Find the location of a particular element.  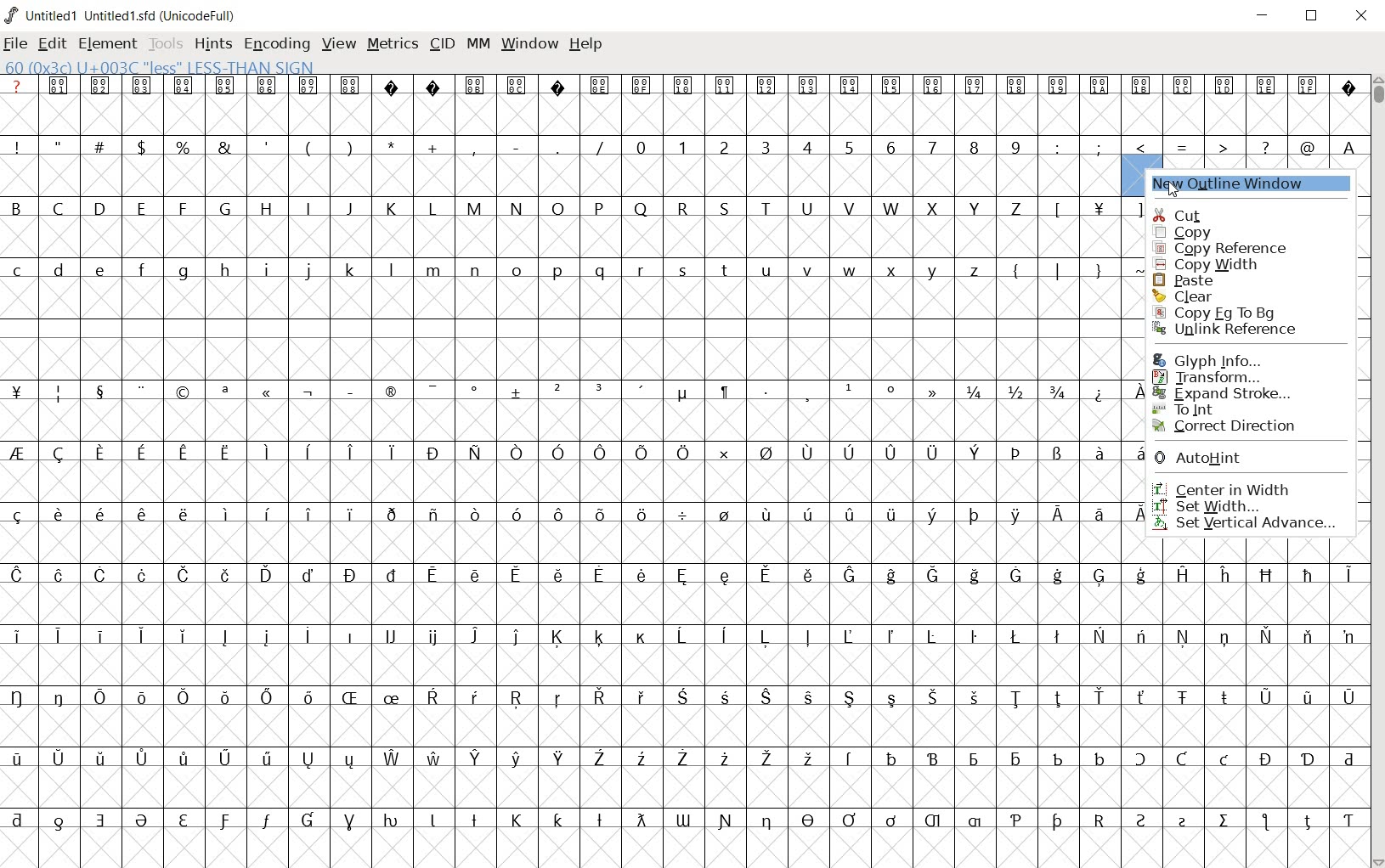

element is located at coordinates (108, 43).